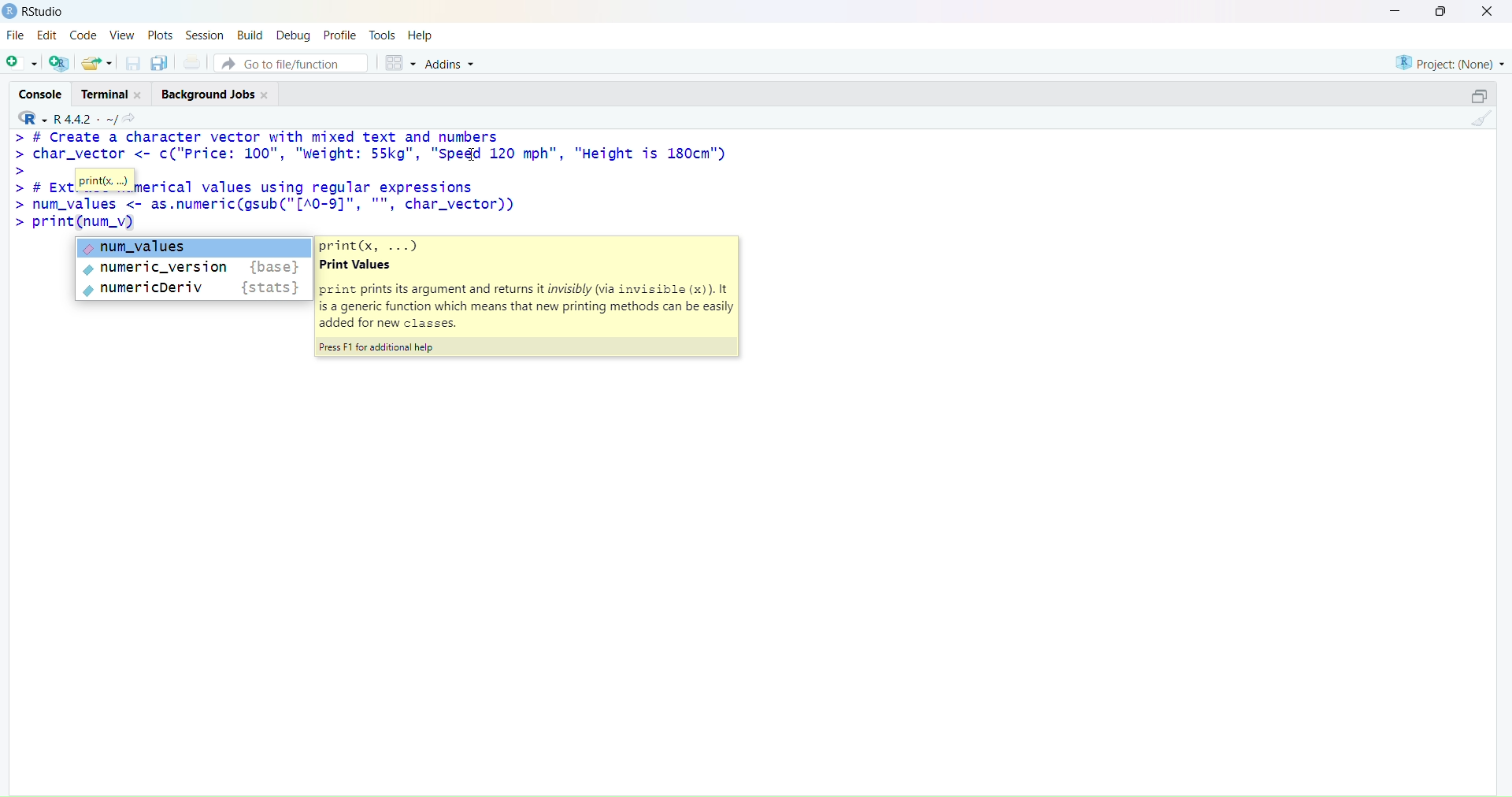 This screenshot has height=797, width=1512. What do you see at coordinates (293, 36) in the screenshot?
I see `debug` at bounding box center [293, 36].